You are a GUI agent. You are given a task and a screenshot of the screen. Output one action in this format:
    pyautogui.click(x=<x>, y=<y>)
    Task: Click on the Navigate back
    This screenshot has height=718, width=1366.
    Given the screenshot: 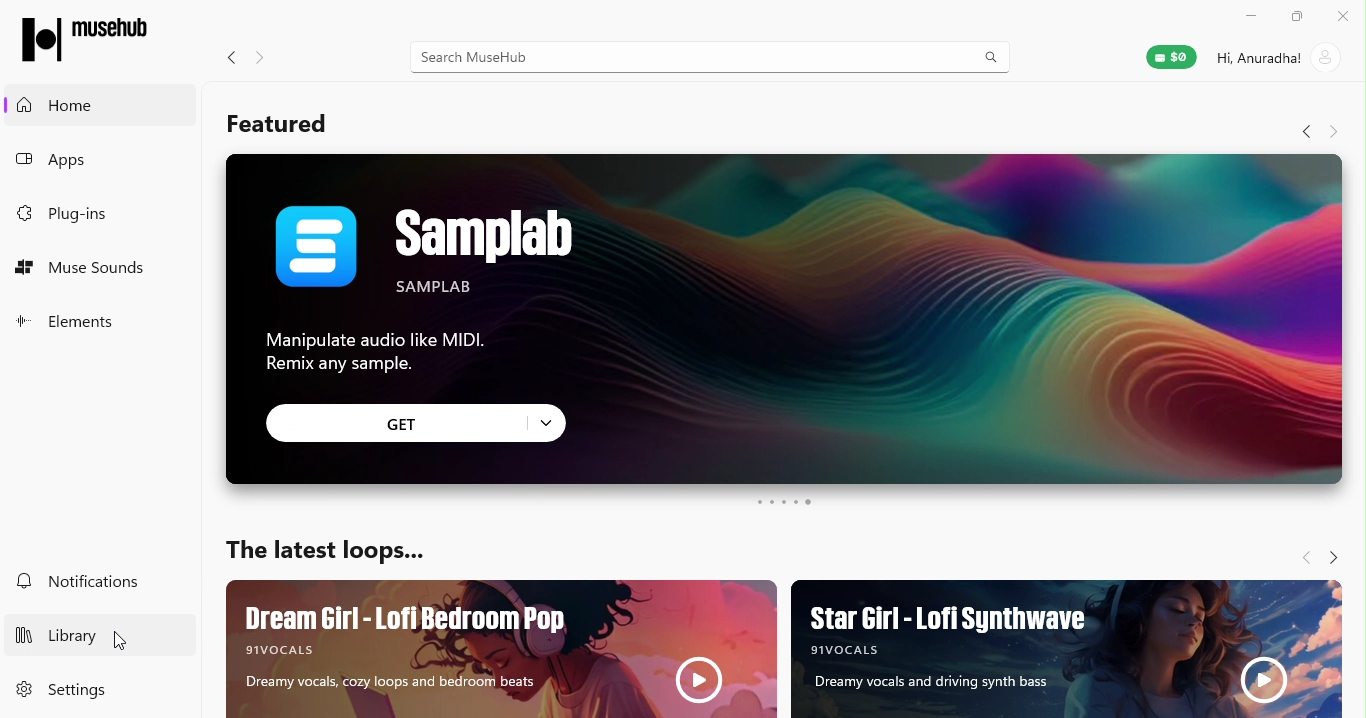 What is the action you would take?
    pyautogui.click(x=1302, y=129)
    